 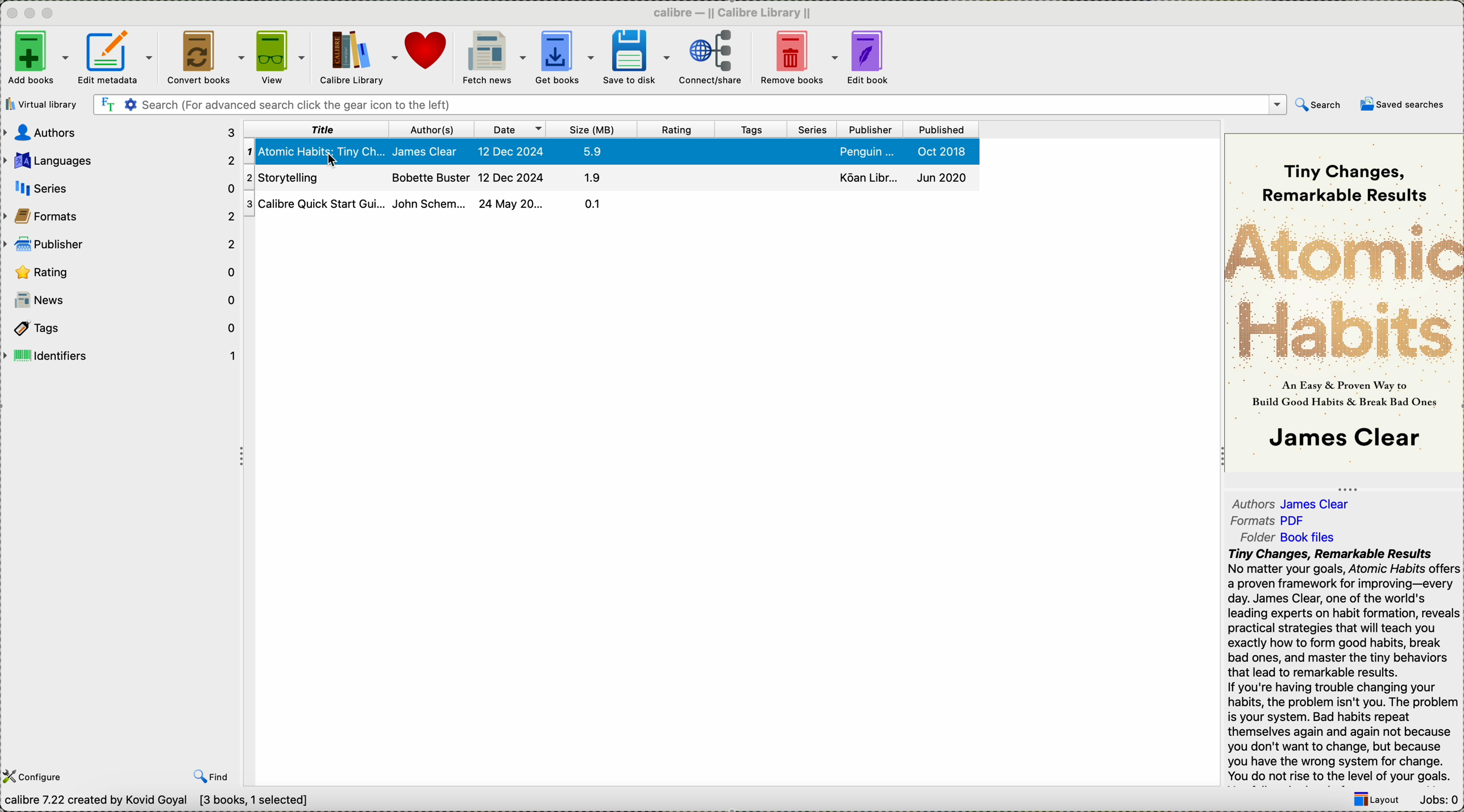 I want to click on languages, so click(x=120, y=158).